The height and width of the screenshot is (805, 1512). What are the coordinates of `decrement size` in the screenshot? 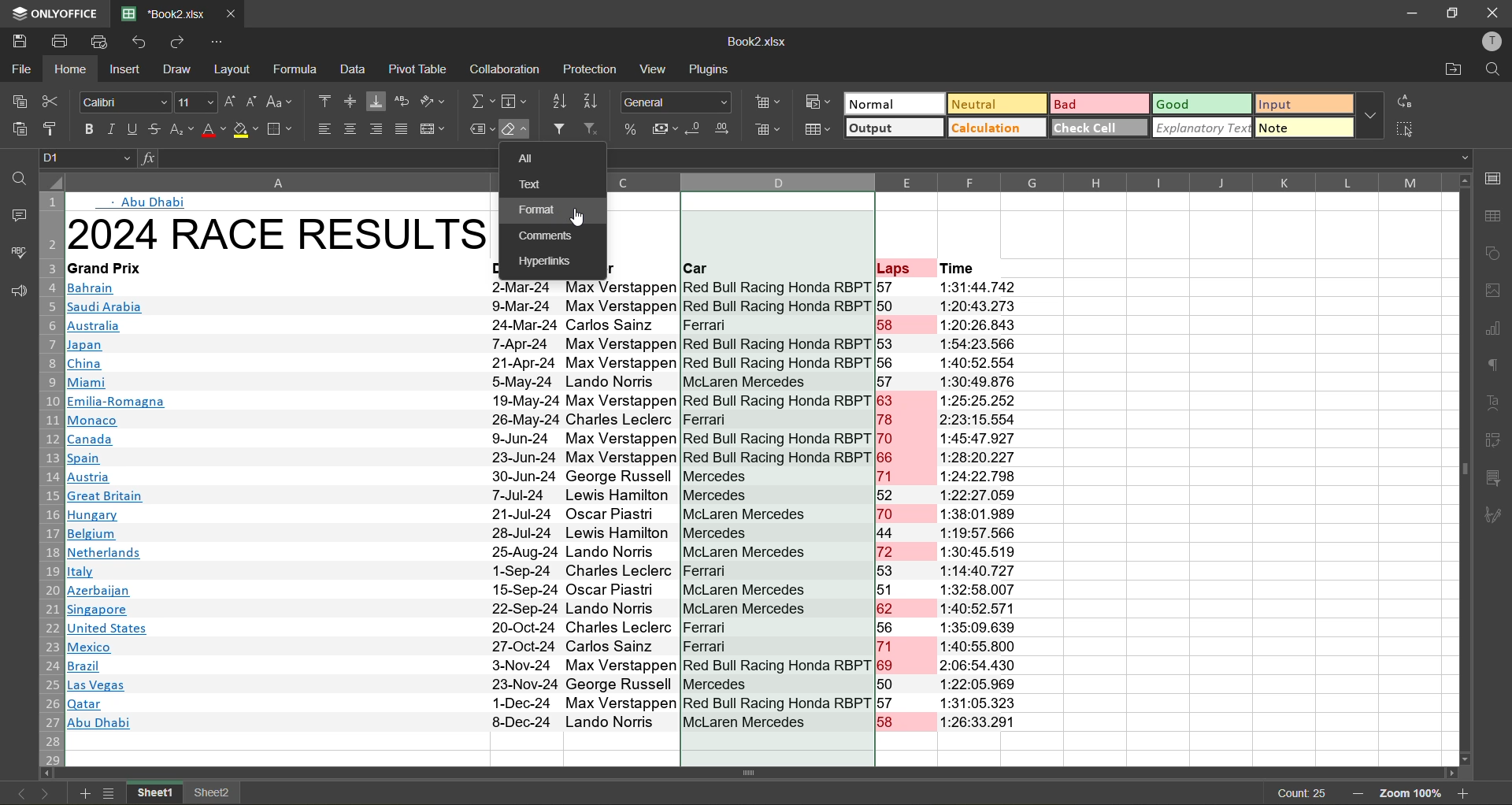 It's located at (254, 103).